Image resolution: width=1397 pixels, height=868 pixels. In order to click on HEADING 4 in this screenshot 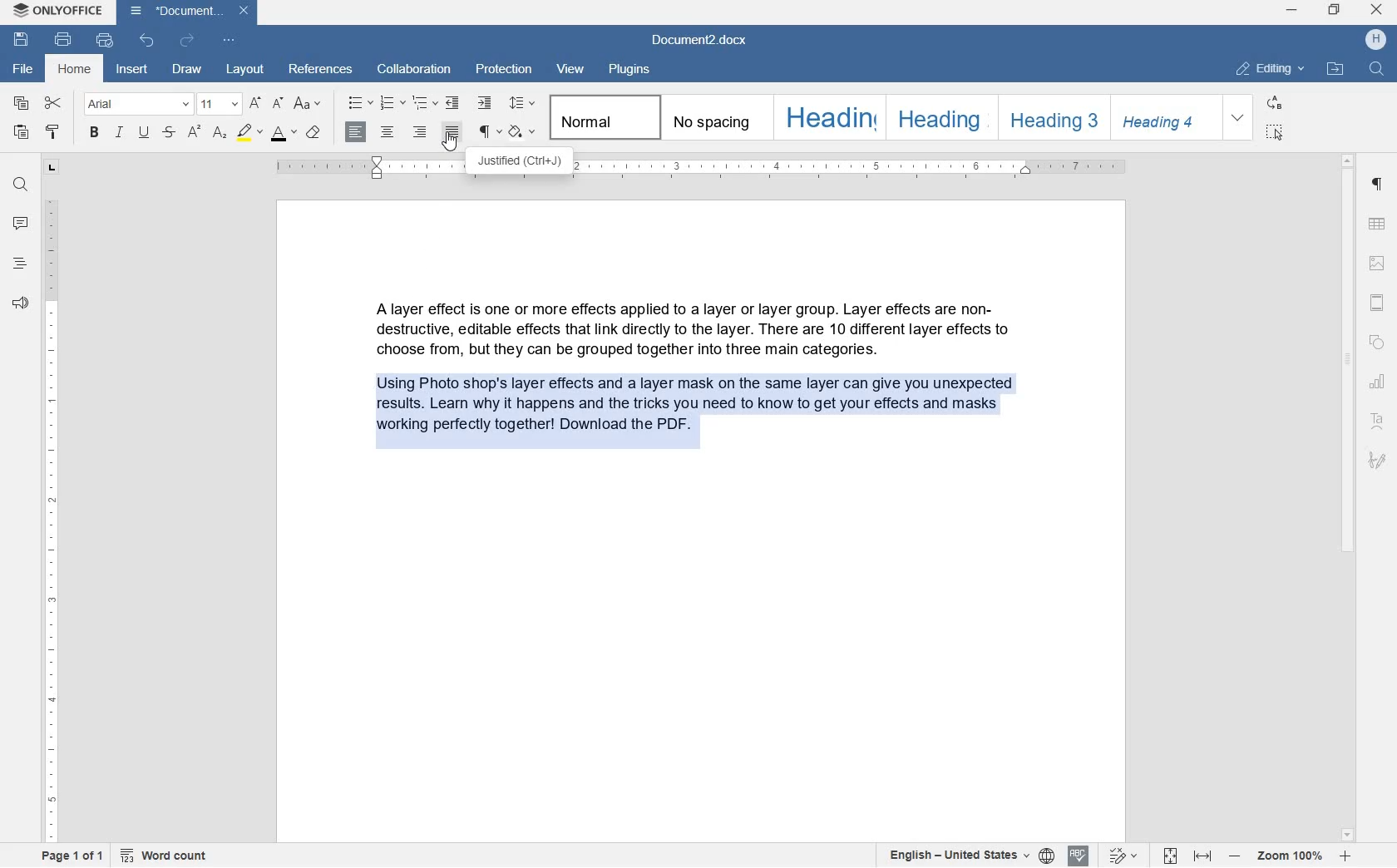, I will do `click(1161, 118)`.